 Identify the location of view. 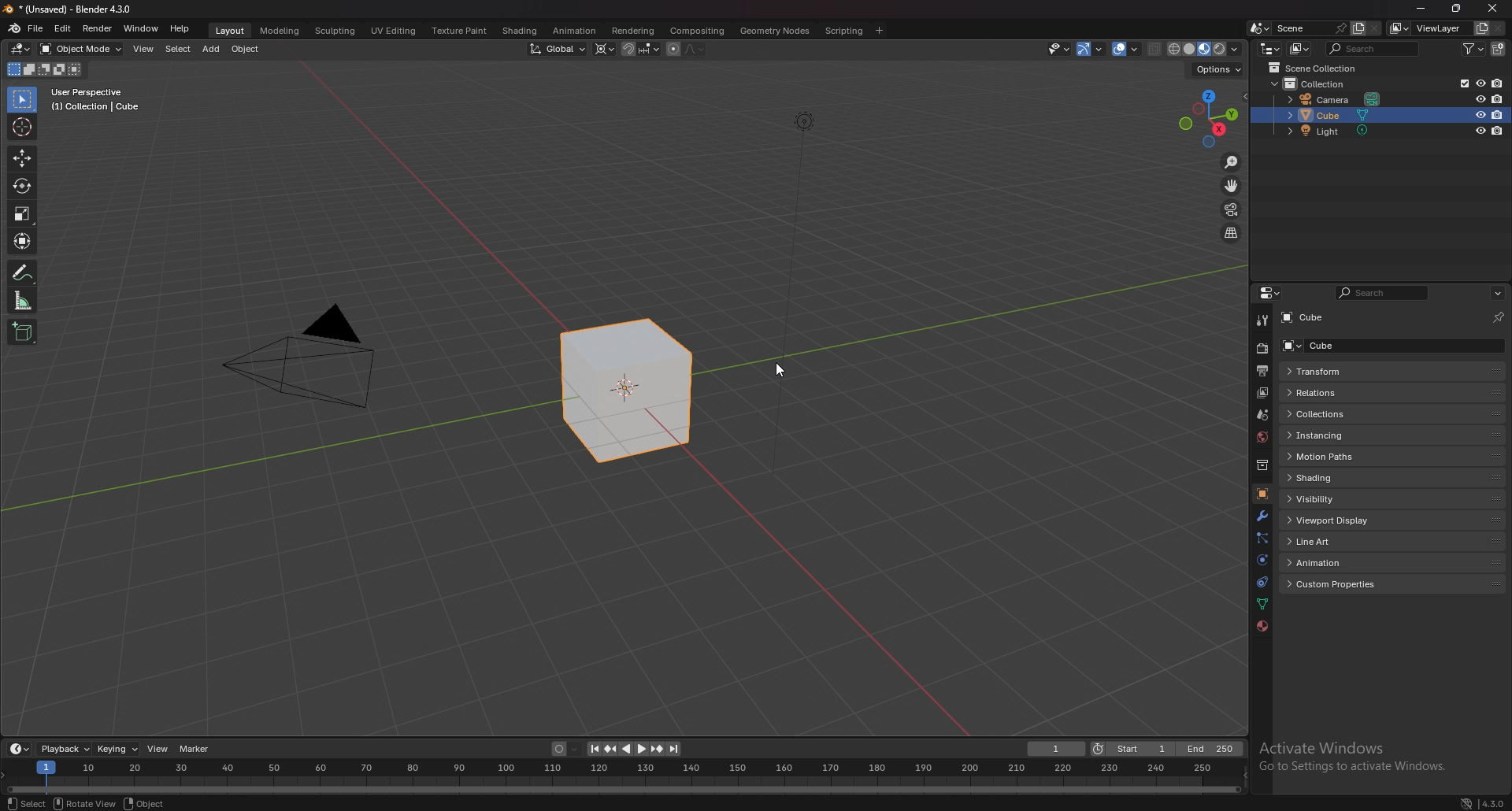
(157, 749).